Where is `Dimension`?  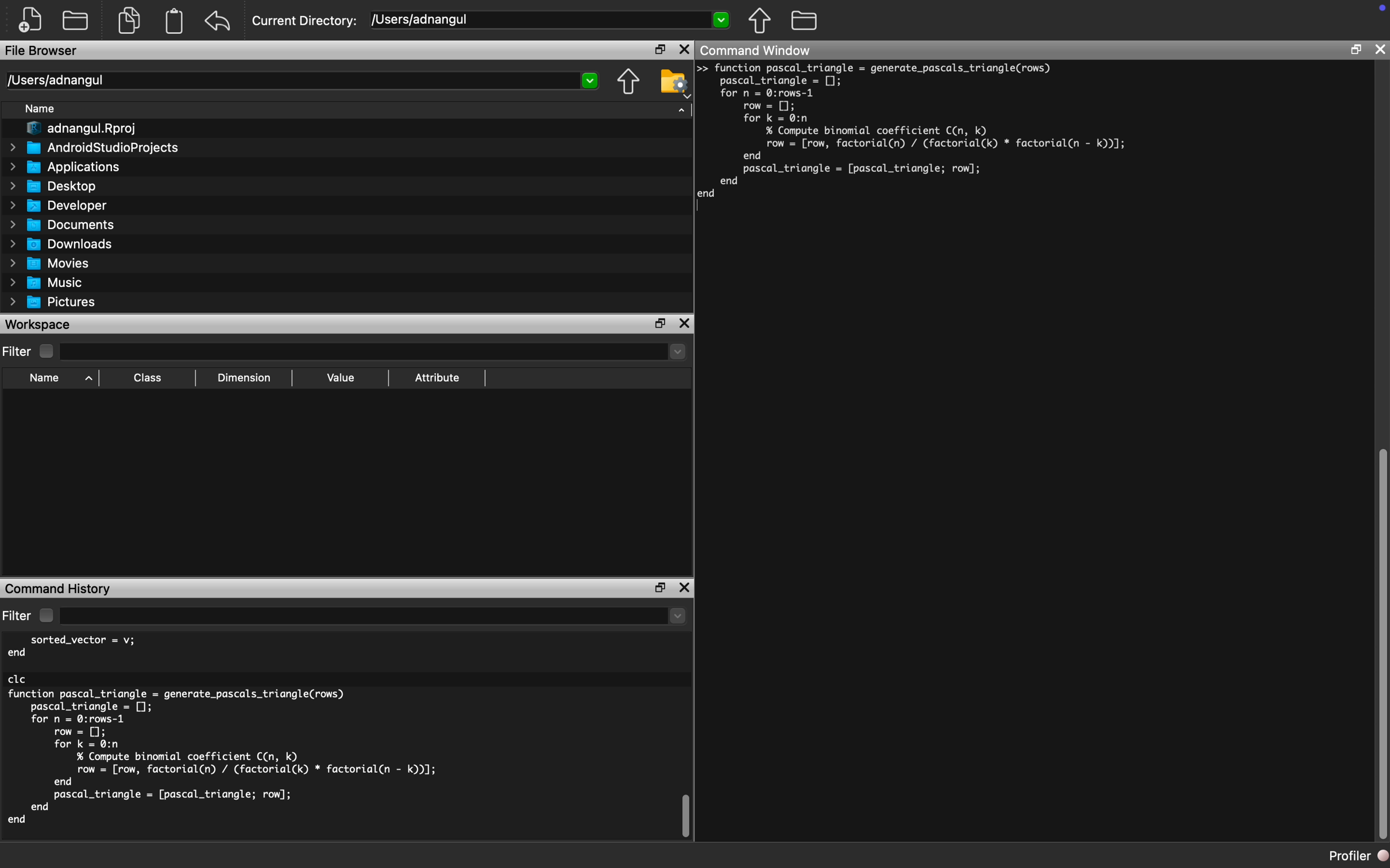 Dimension is located at coordinates (242, 378).